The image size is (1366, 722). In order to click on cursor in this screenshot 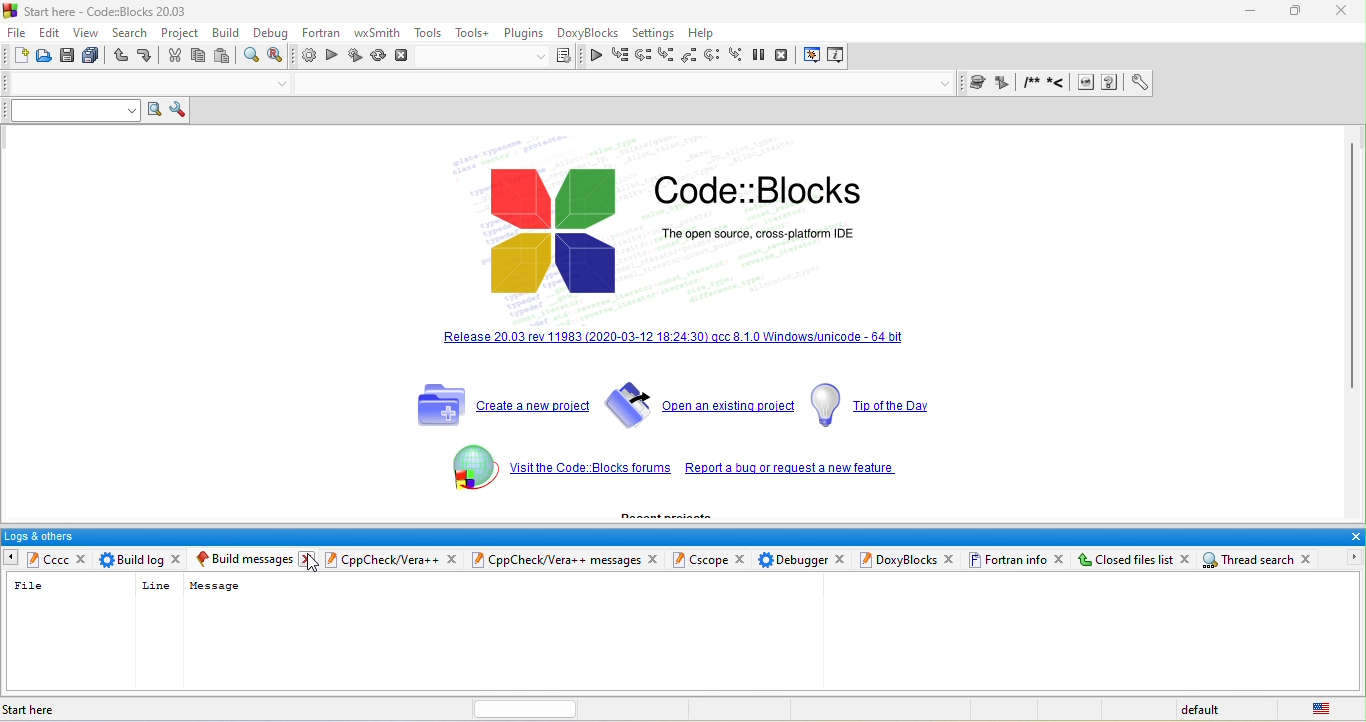, I will do `click(314, 565)`.